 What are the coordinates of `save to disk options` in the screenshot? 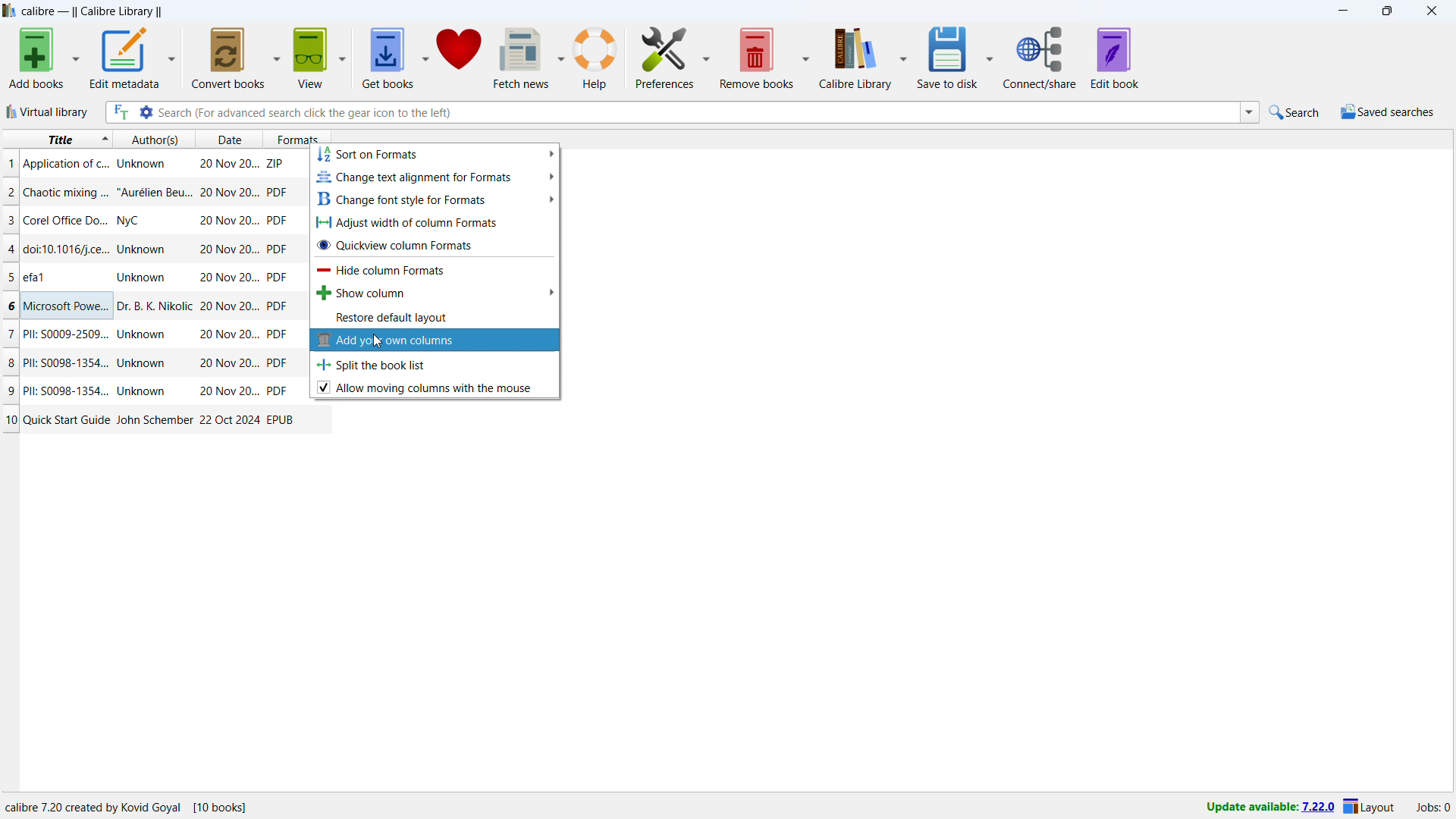 It's located at (807, 57).